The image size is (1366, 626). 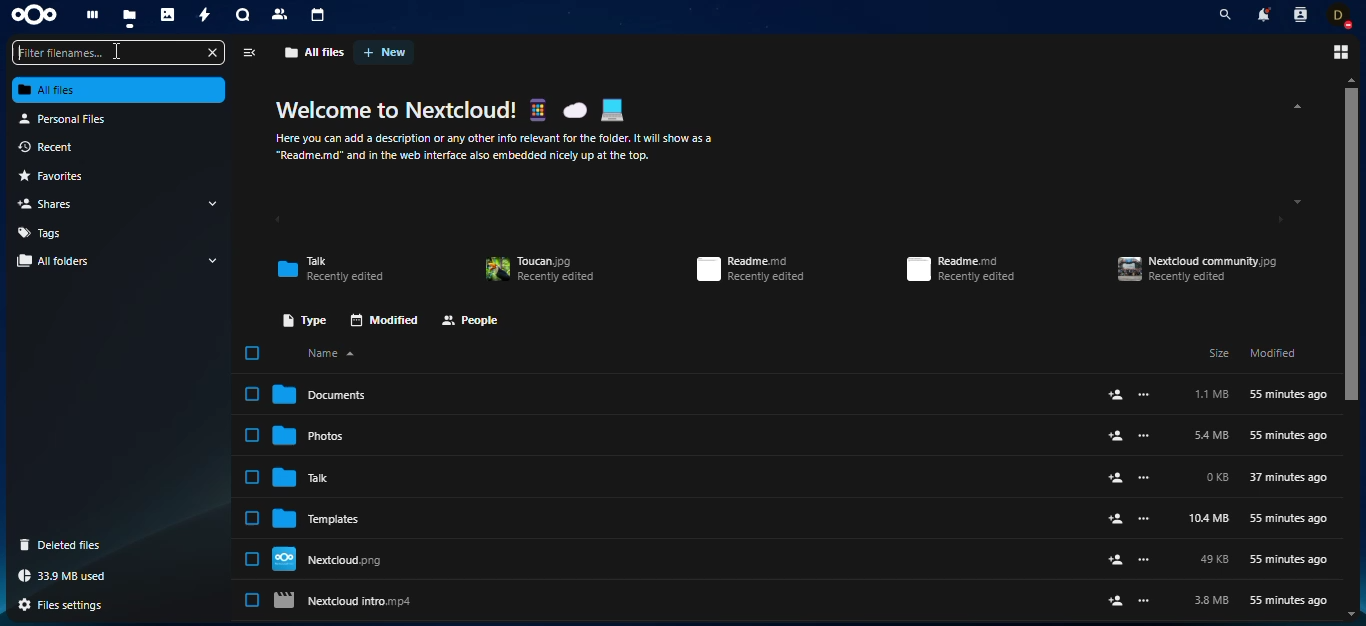 What do you see at coordinates (213, 53) in the screenshot?
I see `close` at bounding box center [213, 53].